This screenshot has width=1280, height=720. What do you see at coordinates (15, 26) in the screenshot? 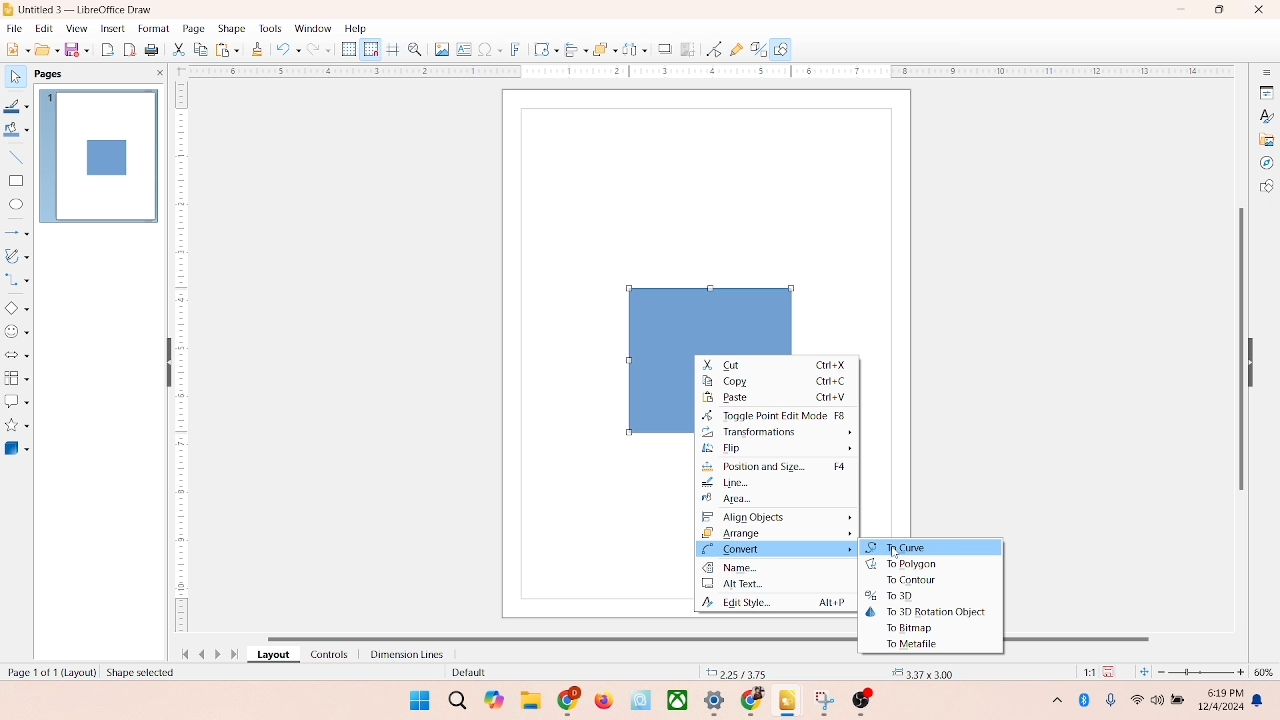
I see `file` at bounding box center [15, 26].